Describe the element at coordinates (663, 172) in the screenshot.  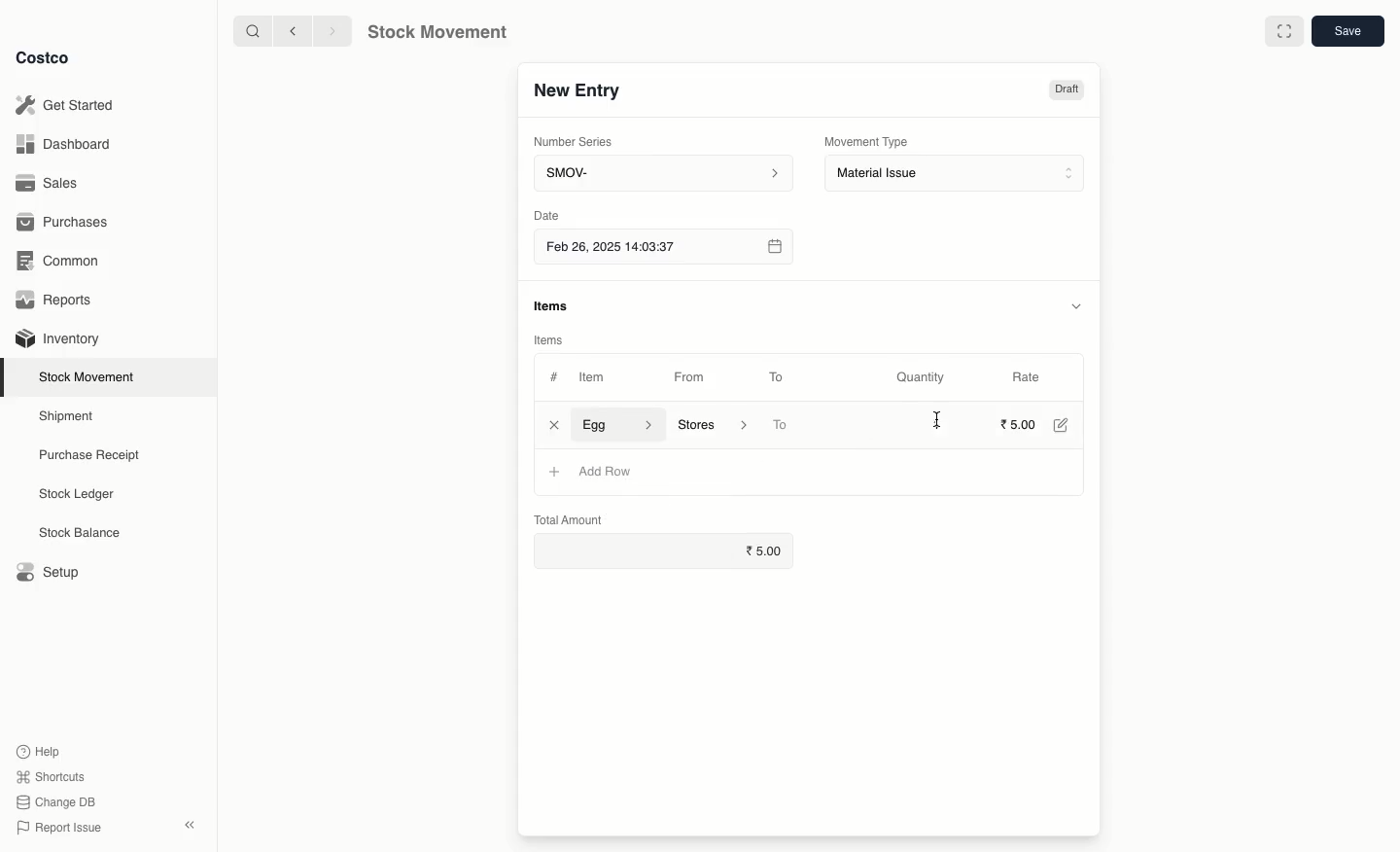
I see `SMOV-` at that location.